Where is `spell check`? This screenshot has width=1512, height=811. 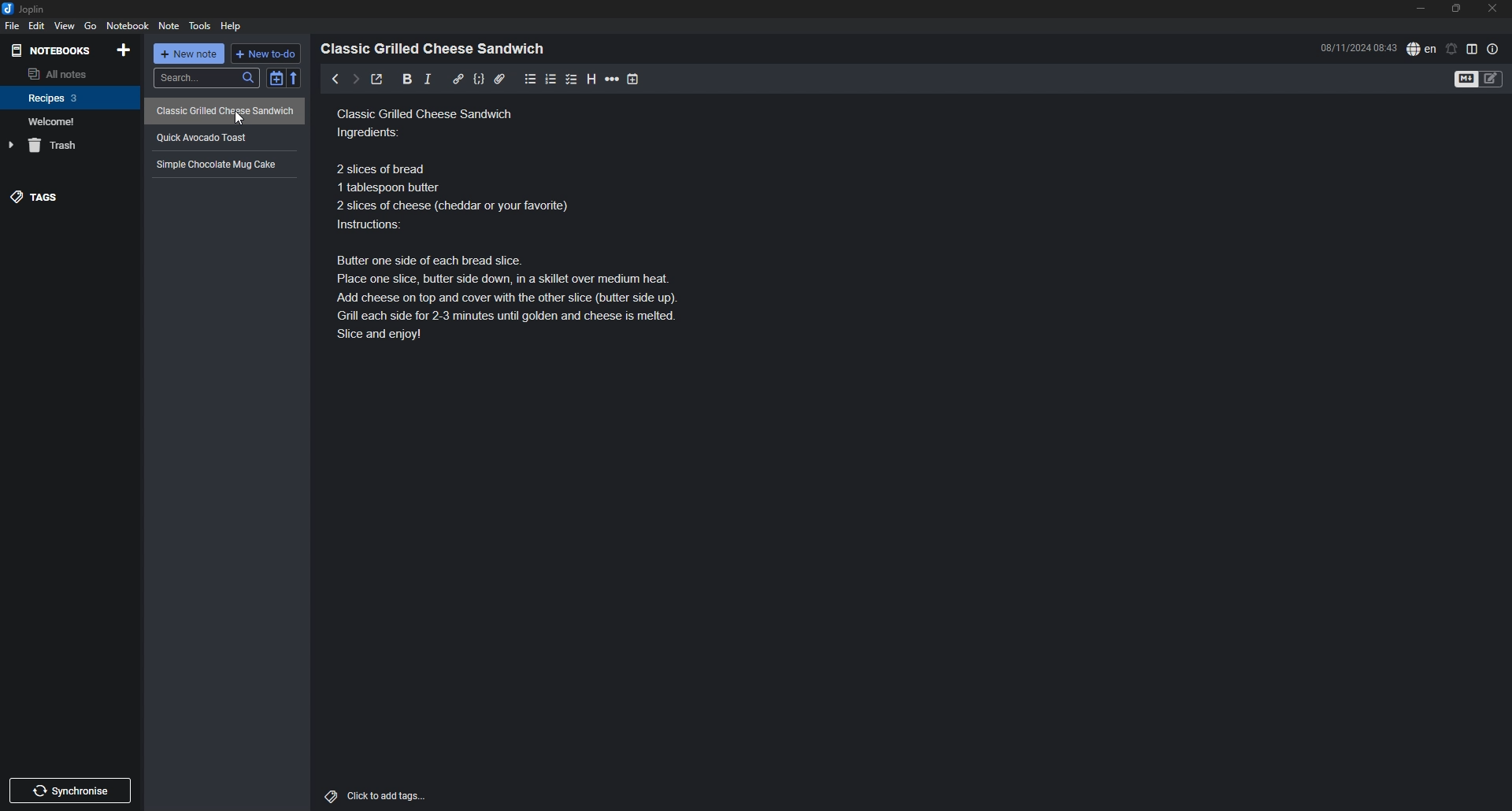 spell check is located at coordinates (1421, 48).